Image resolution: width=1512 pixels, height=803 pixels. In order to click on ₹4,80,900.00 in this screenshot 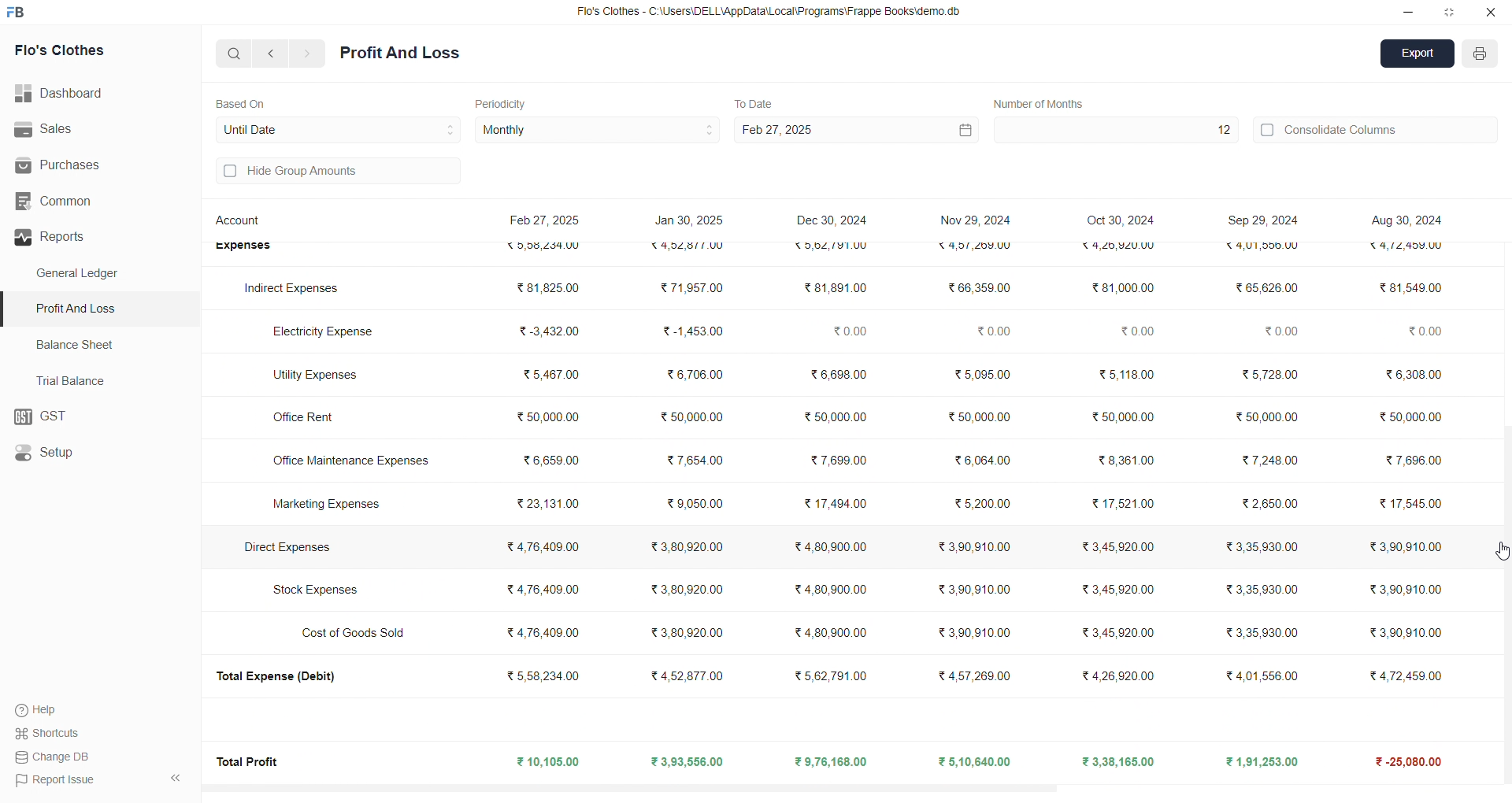, I will do `click(832, 633)`.